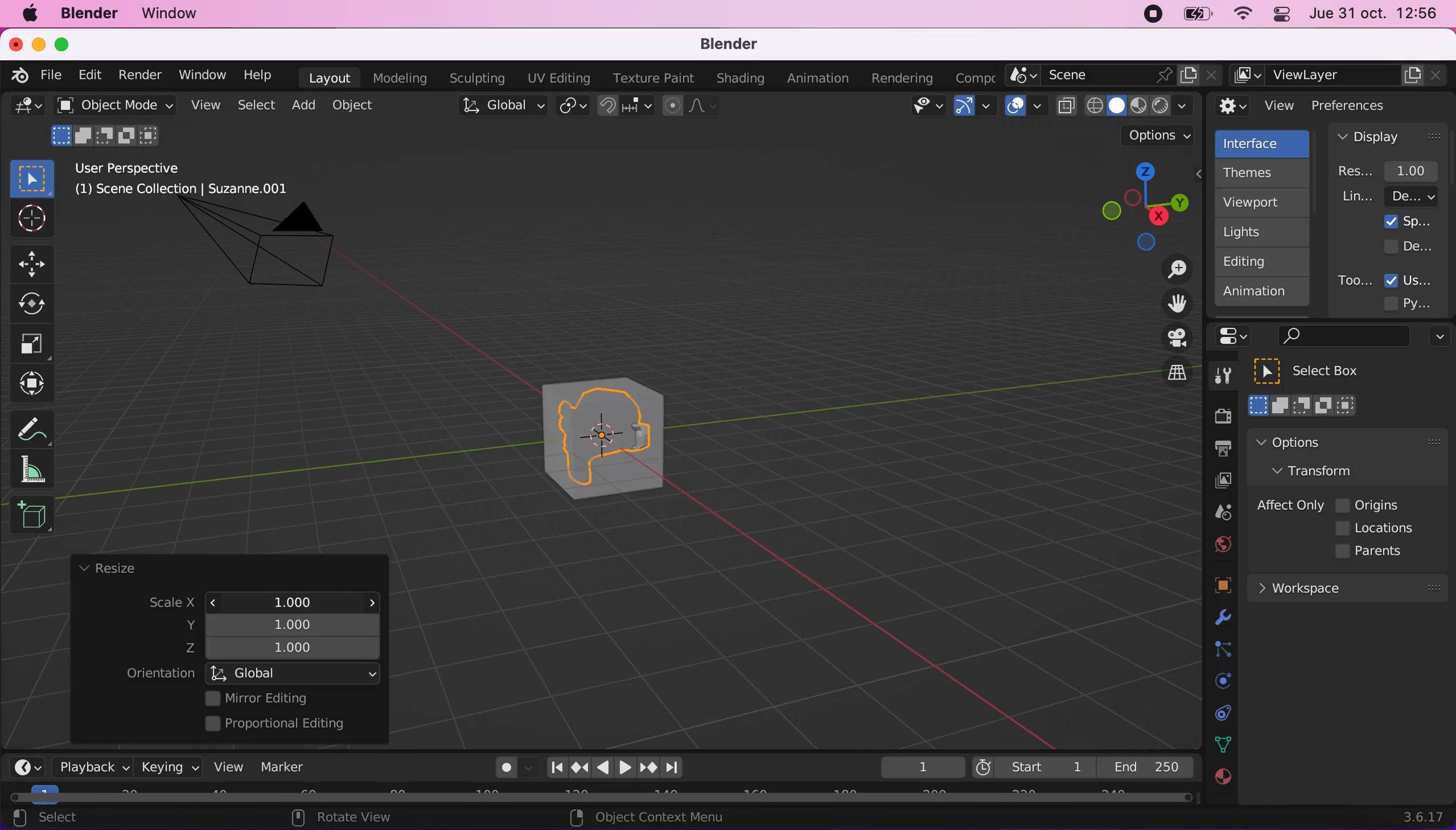  I want to click on annotate, so click(37, 426).